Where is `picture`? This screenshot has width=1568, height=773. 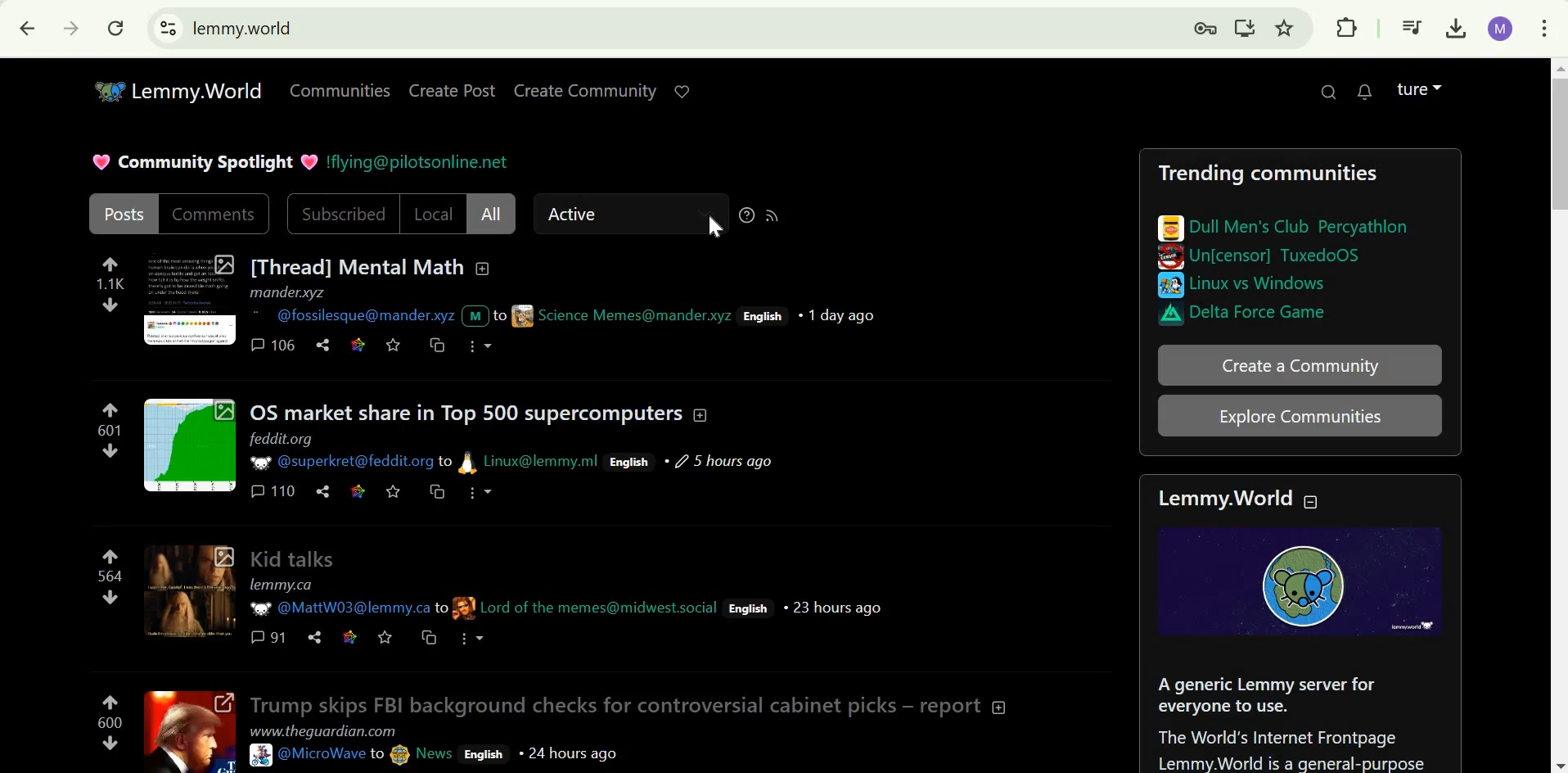
picture is located at coordinates (258, 460).